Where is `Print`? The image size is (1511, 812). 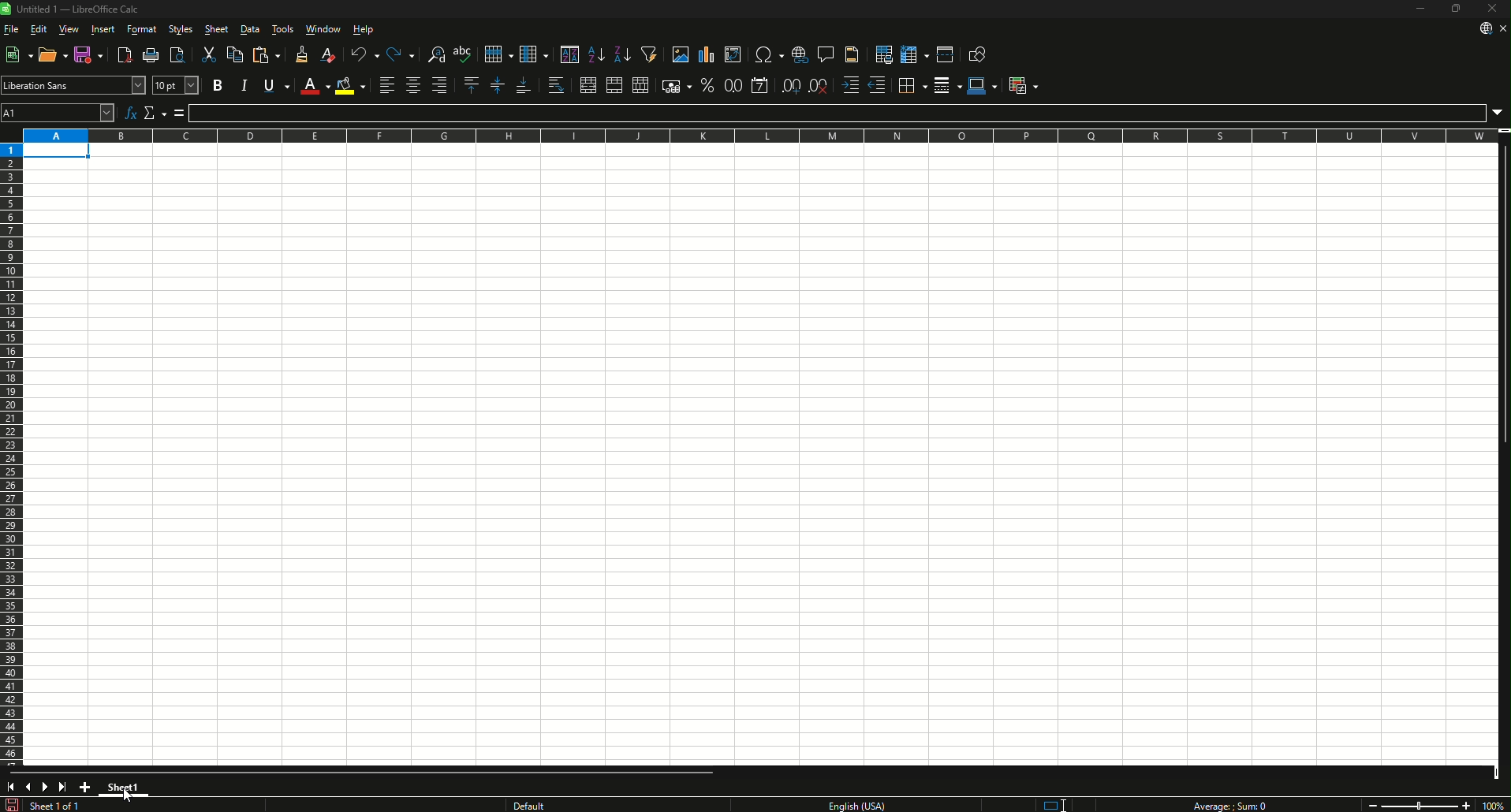
Print is located at coordinates (151, 54).